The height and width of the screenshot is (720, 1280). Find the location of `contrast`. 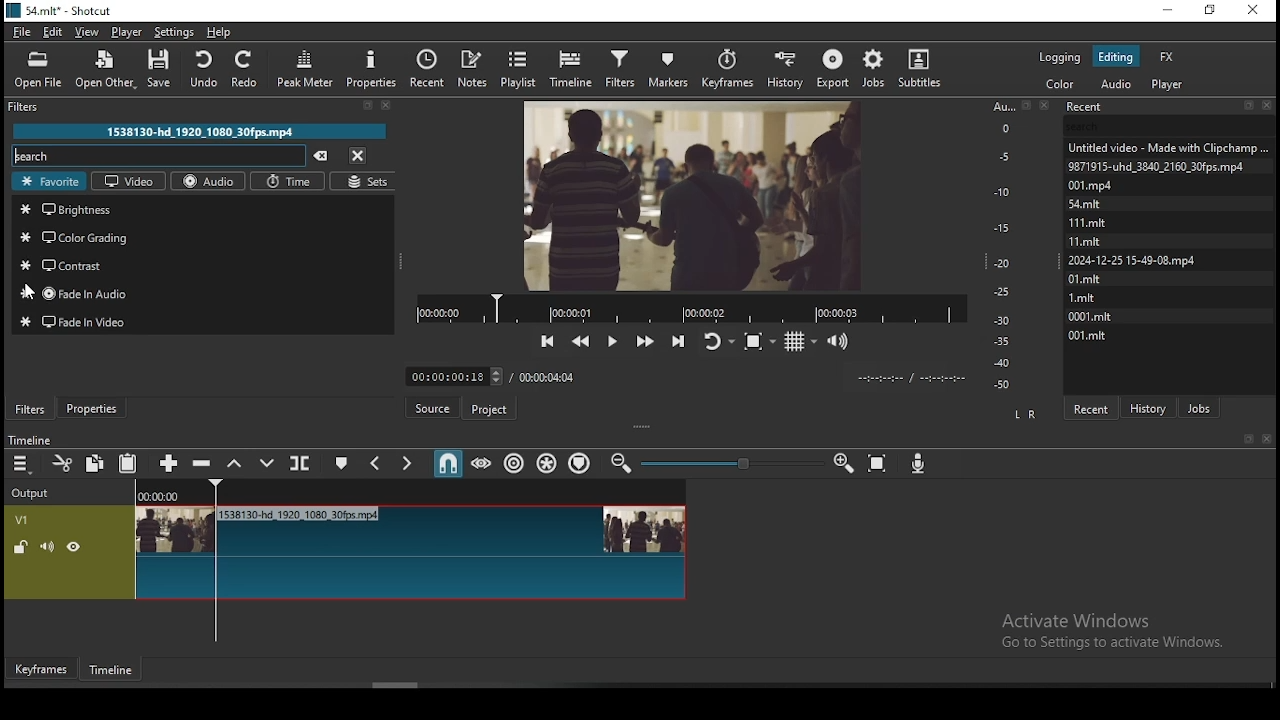

contrast is located at coordinates (203, 266).